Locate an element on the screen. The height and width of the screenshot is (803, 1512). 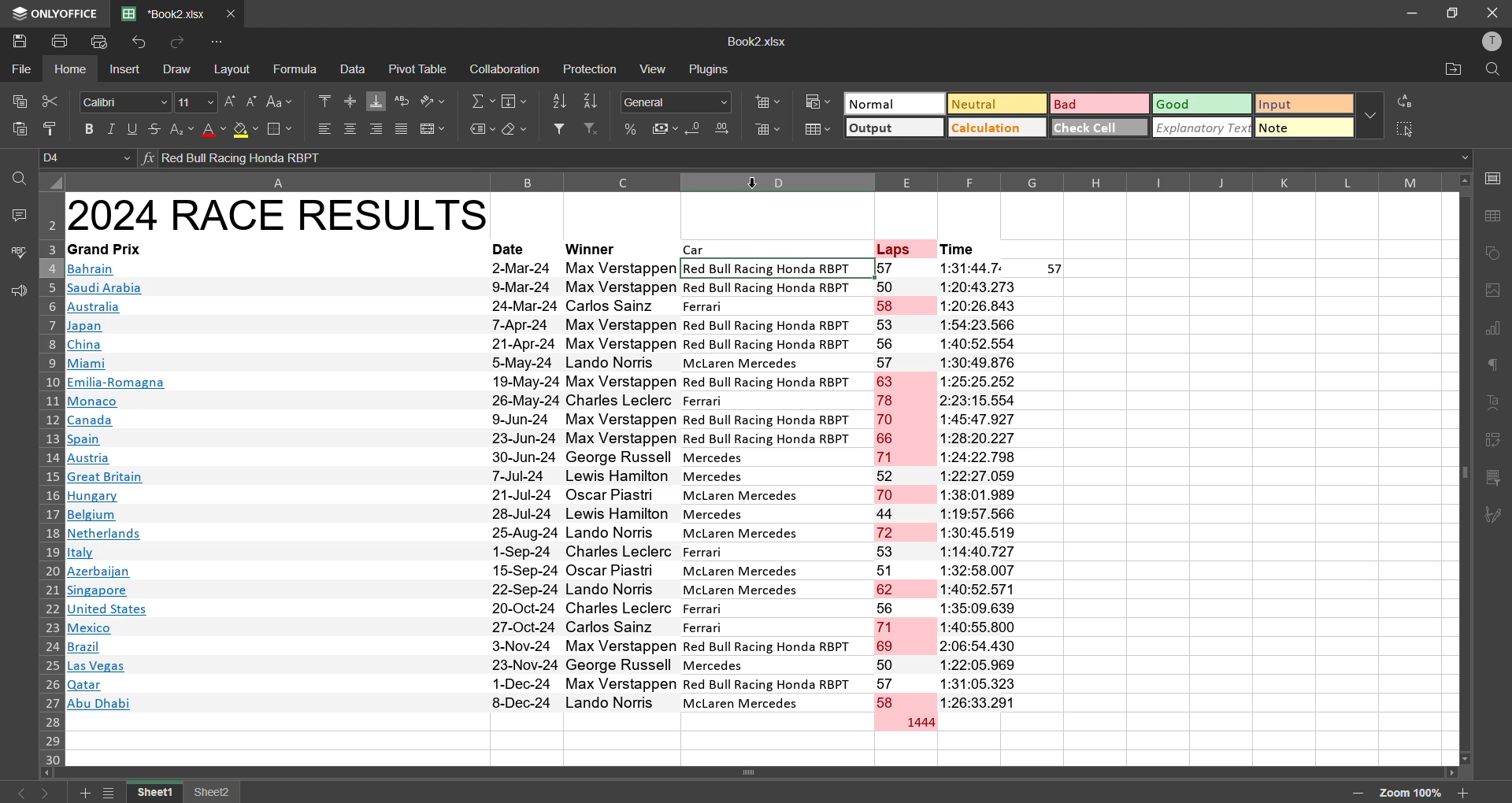
find is located at coordinates (19, 178).